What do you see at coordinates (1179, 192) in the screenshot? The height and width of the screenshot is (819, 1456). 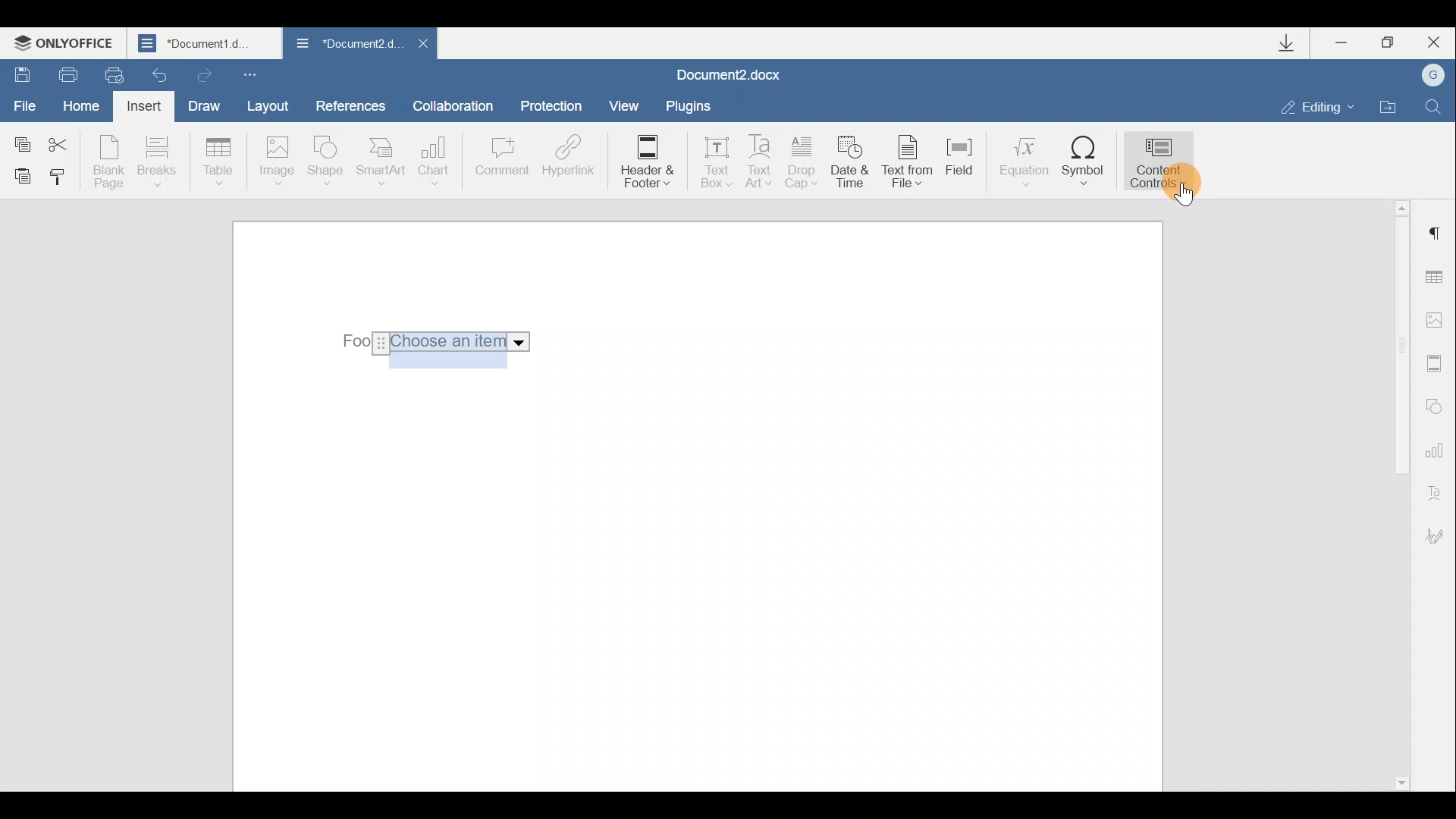 I see `Cursor` at bounding box center [1179, 192].